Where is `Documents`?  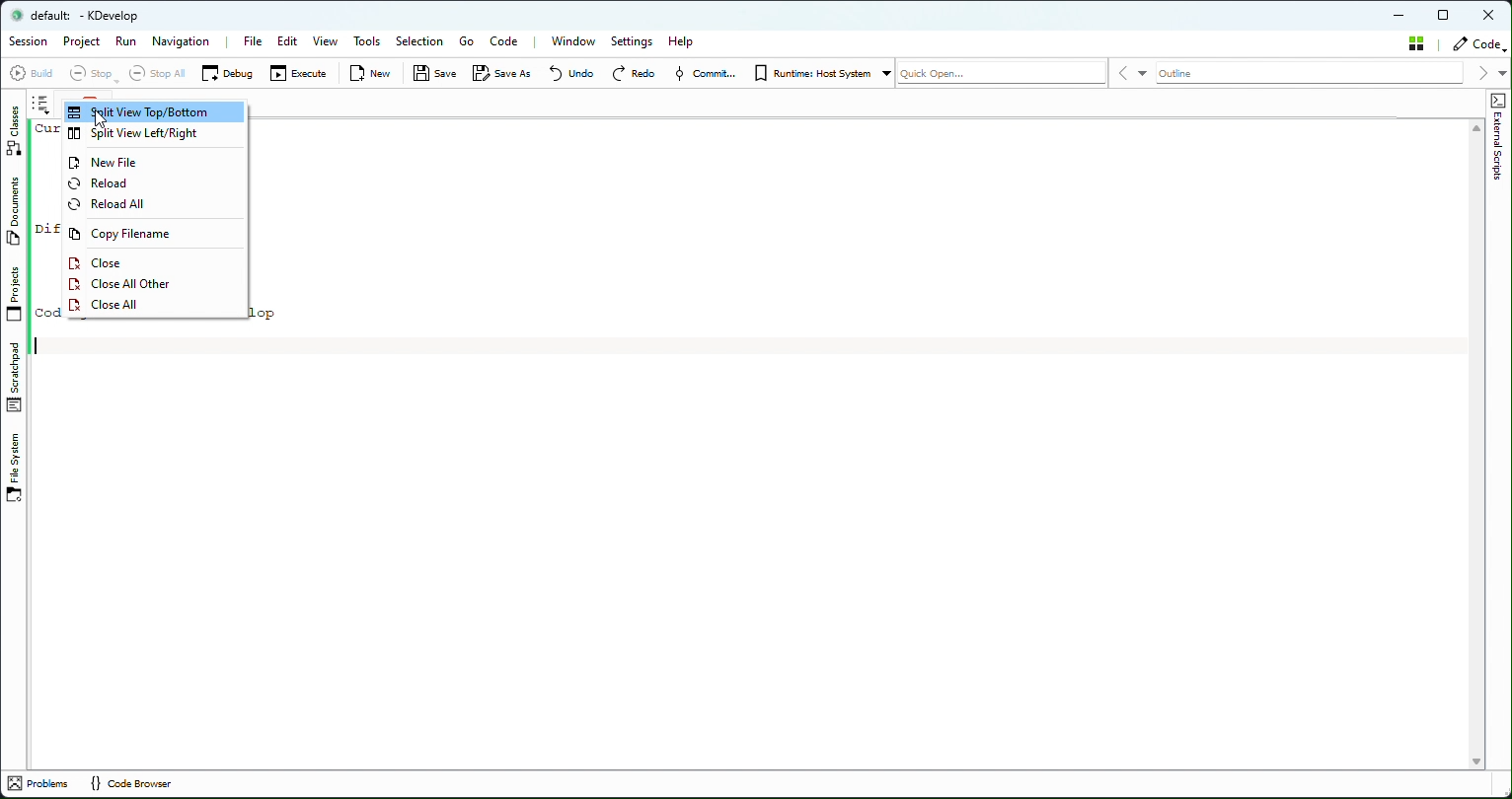 Documents is located at coordinates (12, 213).